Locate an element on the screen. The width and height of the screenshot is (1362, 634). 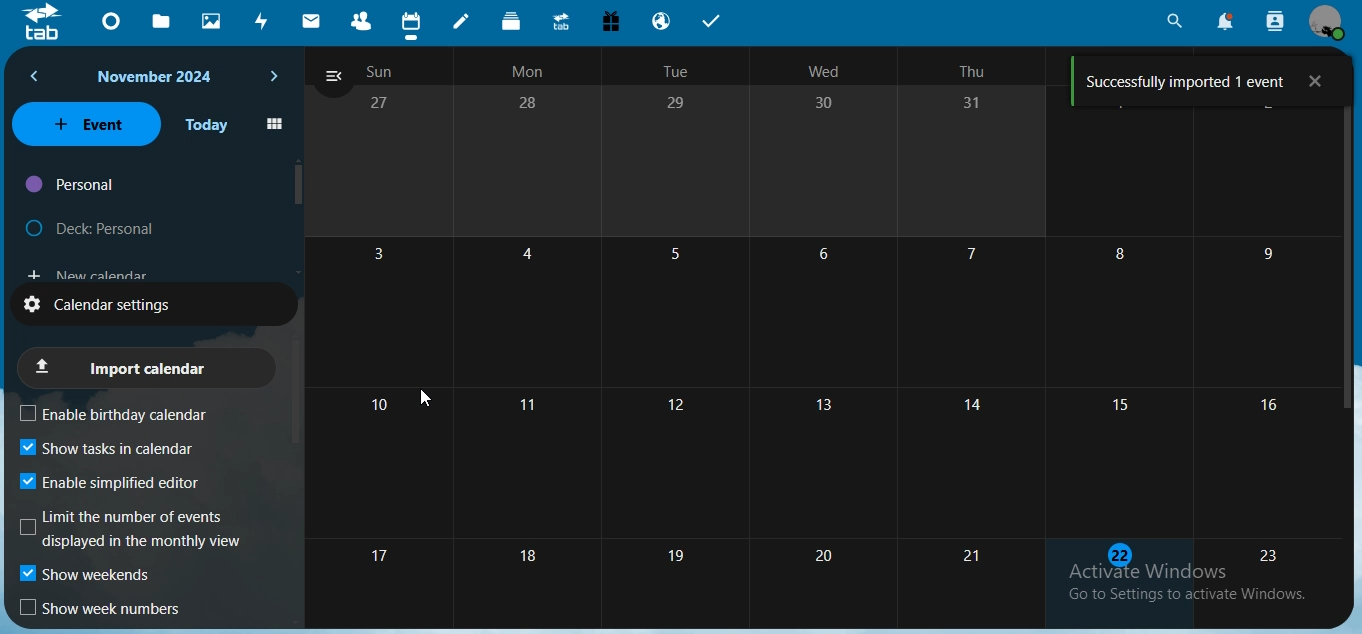
show week numbers is located at coordinates (103, 609).